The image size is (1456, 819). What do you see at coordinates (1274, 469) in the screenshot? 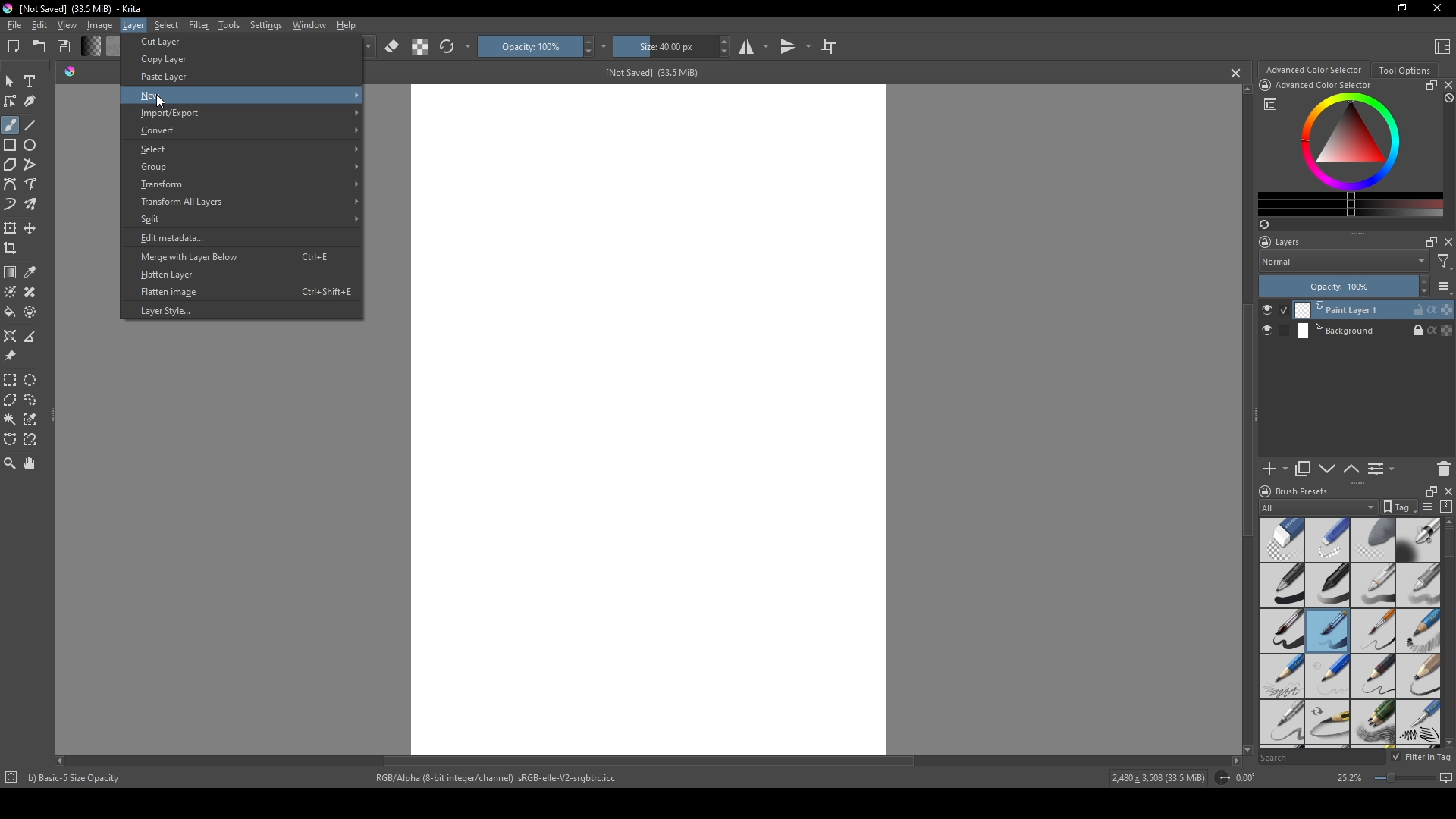
I see `add new` at bounding box center [1274, 469].